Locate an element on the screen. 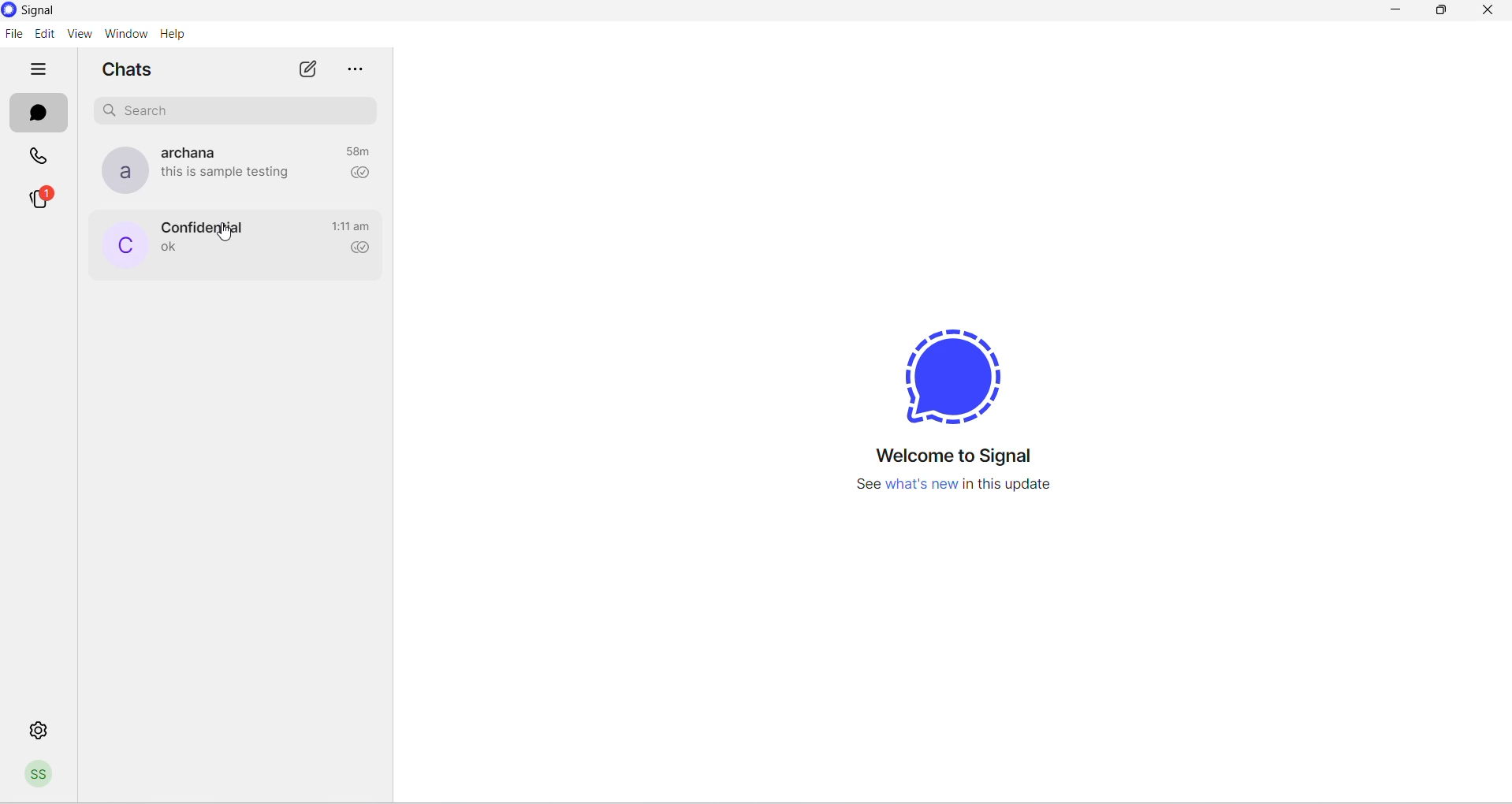 Image resolution: width=1512 pixels, height=804 pixels. cursor is located at coordinates (227, 236).